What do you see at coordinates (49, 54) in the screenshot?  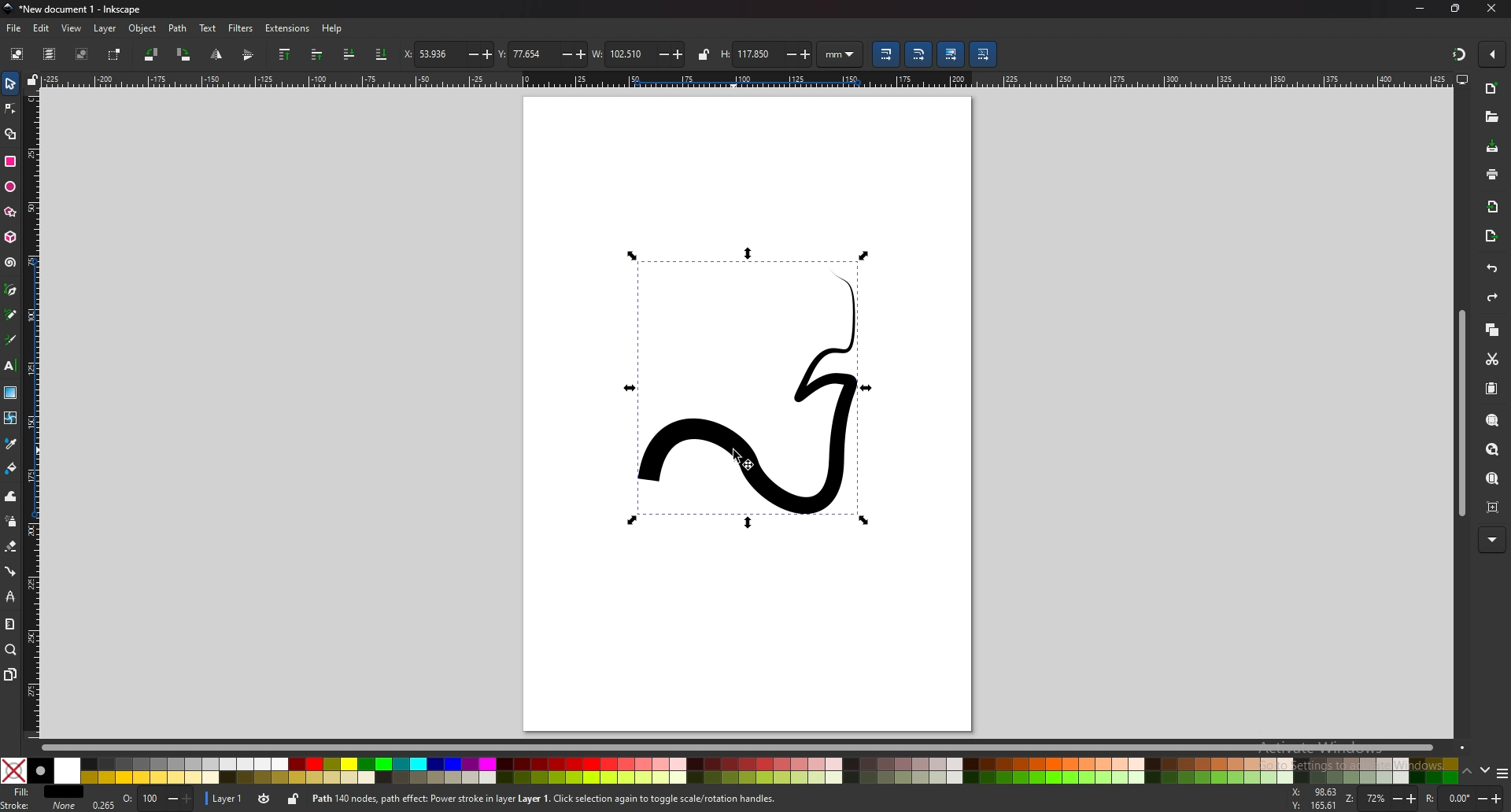 I see `select all in all layers` at bounding box center [49, 54].